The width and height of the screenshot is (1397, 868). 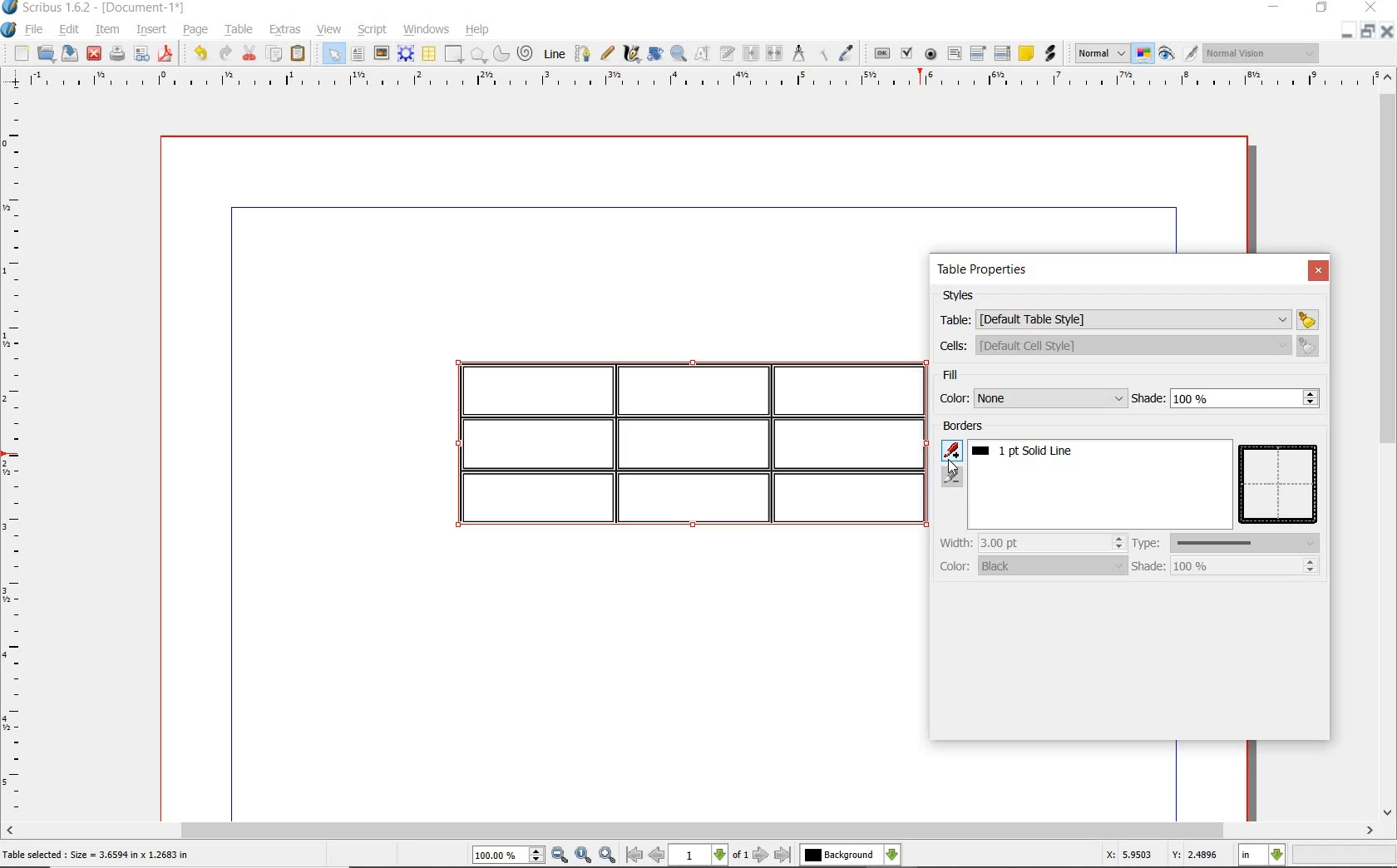 I want to click on system logo, so click(x=9, y=30).